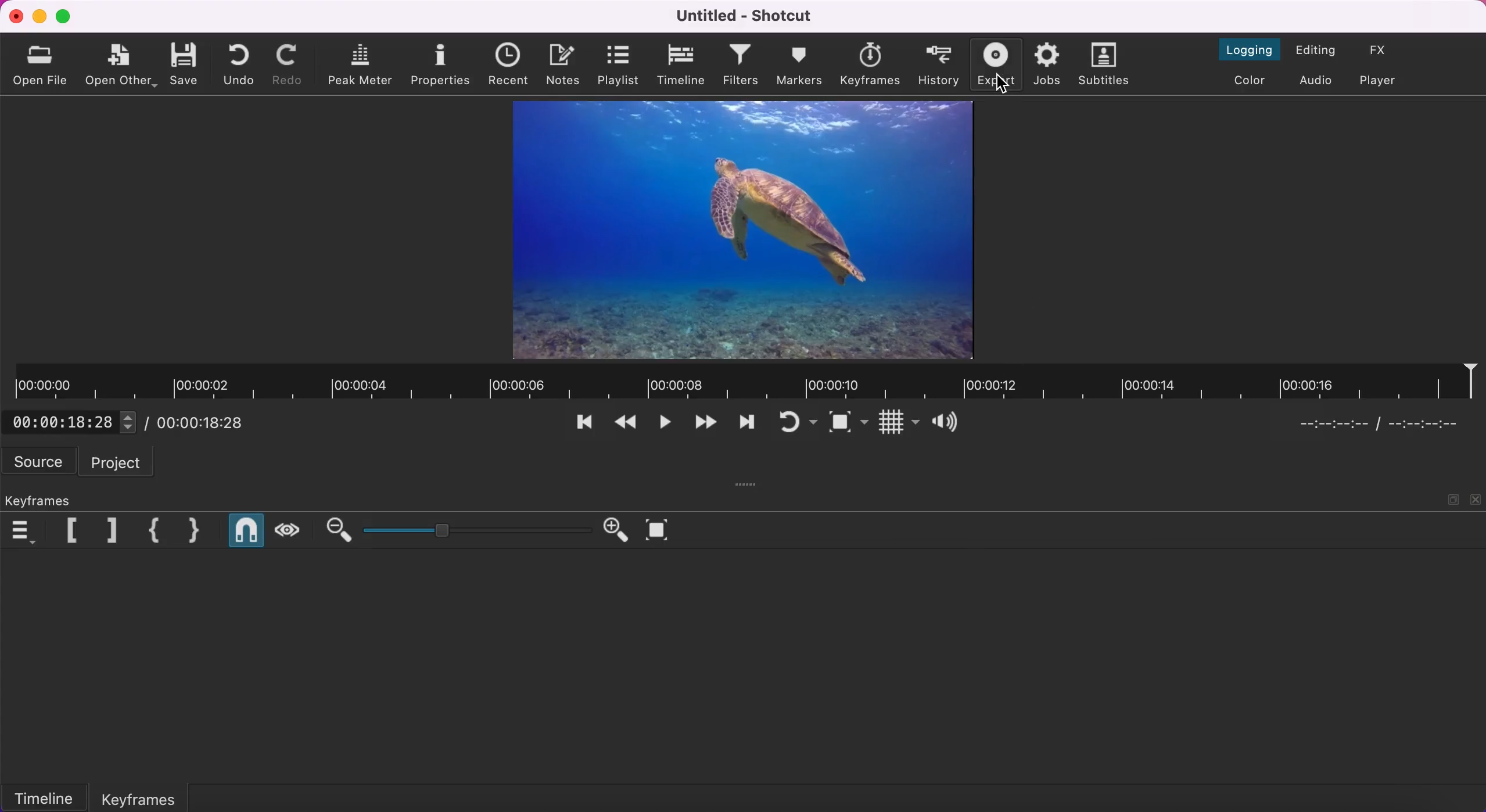 This screenshot has width=1486, height=812. What do you see at coordinates (1455, 493) in the screenshot?
I see `maximize controls` at bounding box center [1455, 493].